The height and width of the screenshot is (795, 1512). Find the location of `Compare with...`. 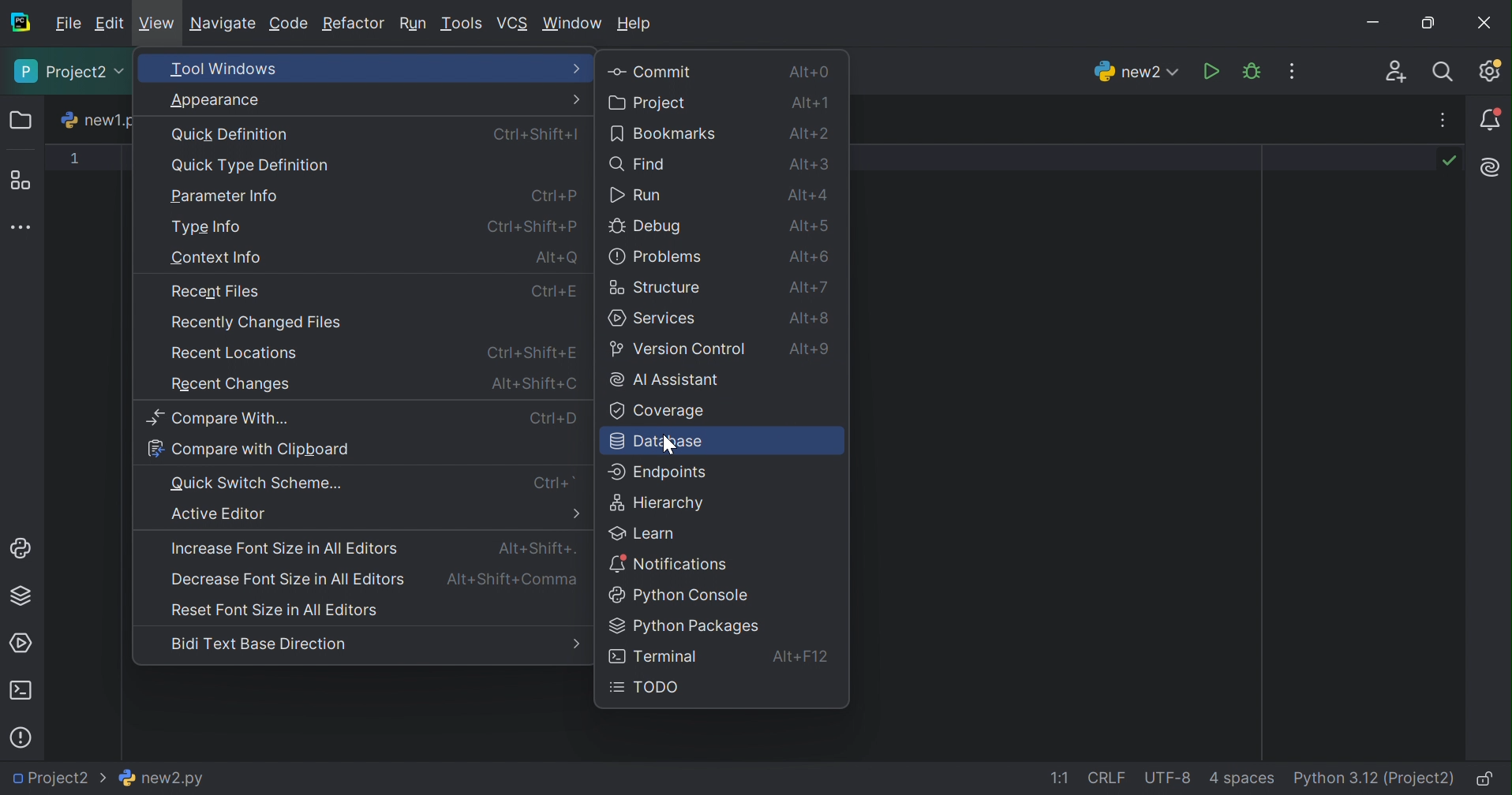

Compare with... is located at coordinates (218, 419).